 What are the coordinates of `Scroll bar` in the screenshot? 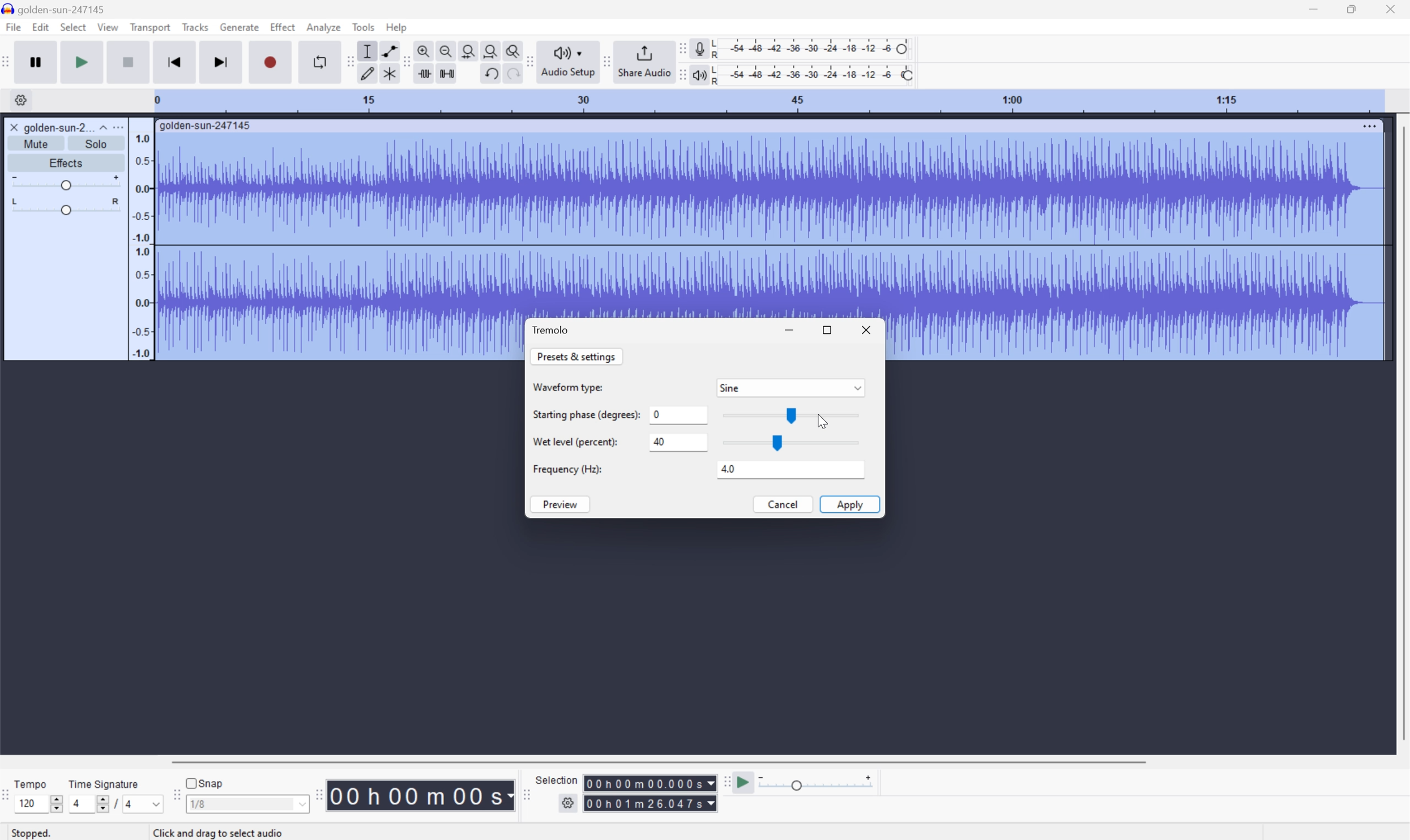 It's located at (665, 760).